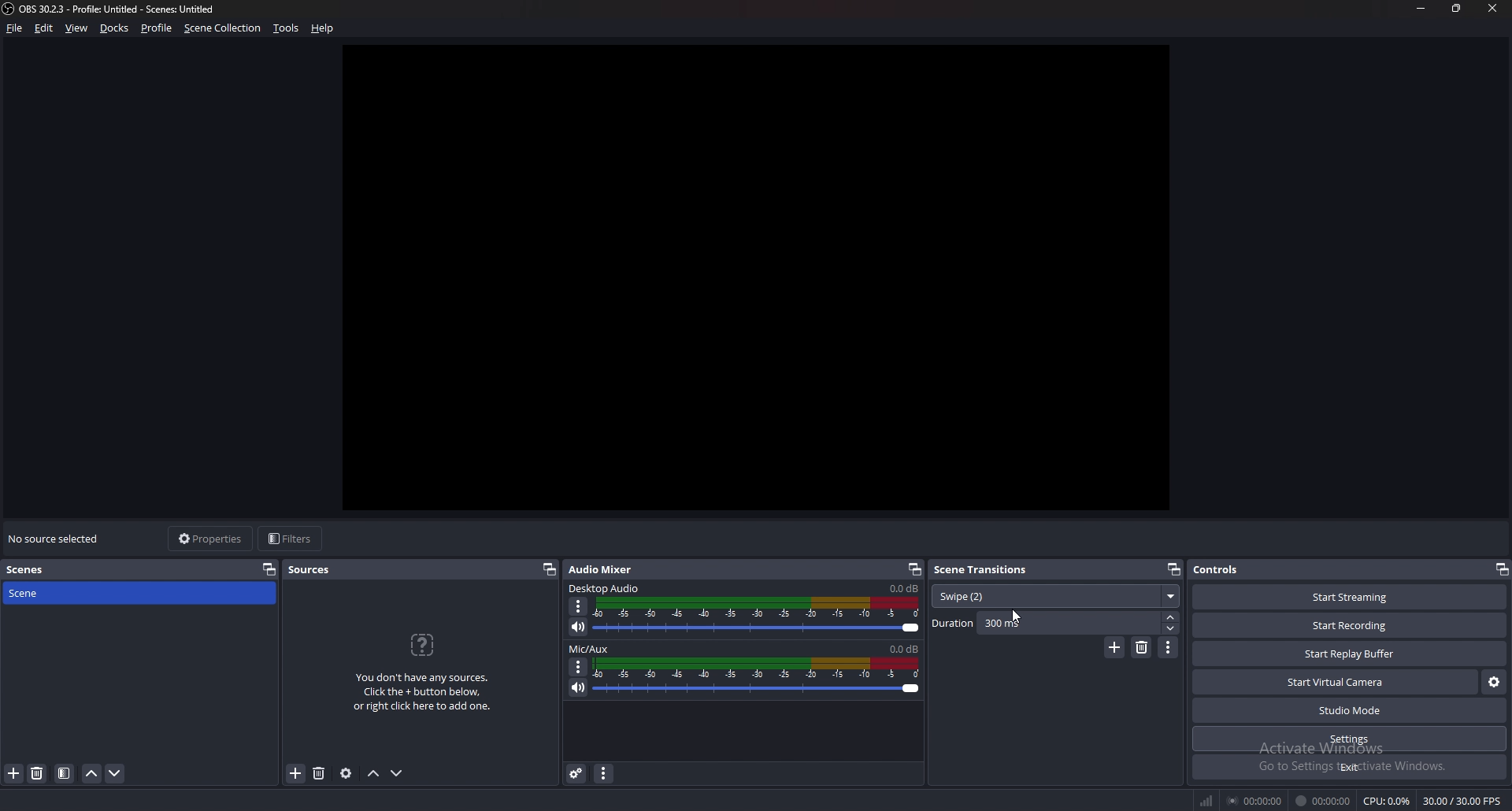 The height and width of the screenshot is (811, 1512). What do you see at coordinates (65, 773) in the screenshot?
I see `filter` at bounding box center [65, 773].